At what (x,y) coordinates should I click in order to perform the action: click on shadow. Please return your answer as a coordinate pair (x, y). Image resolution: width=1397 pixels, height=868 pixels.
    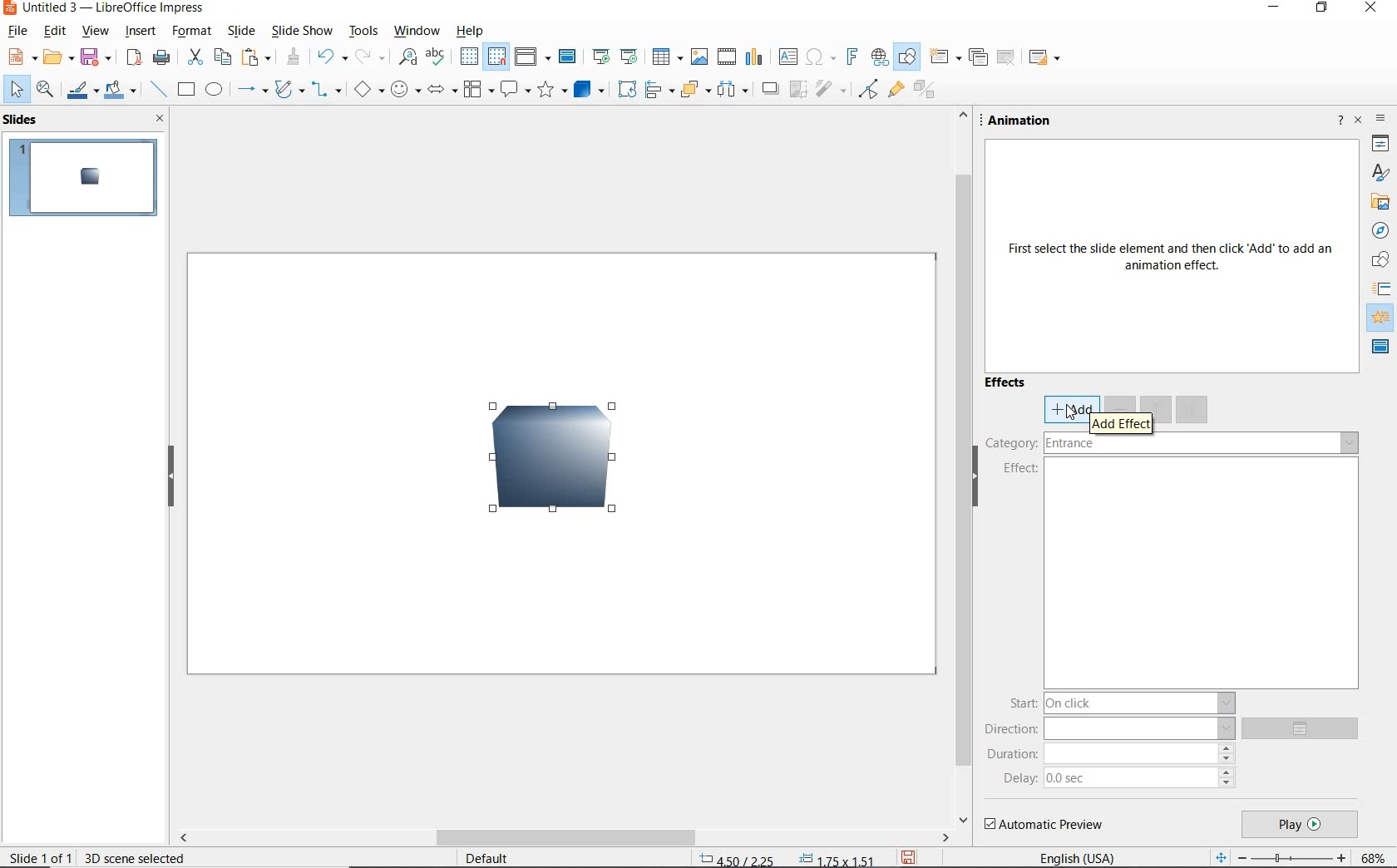
    Looking at the image, I should click on (773, 89).